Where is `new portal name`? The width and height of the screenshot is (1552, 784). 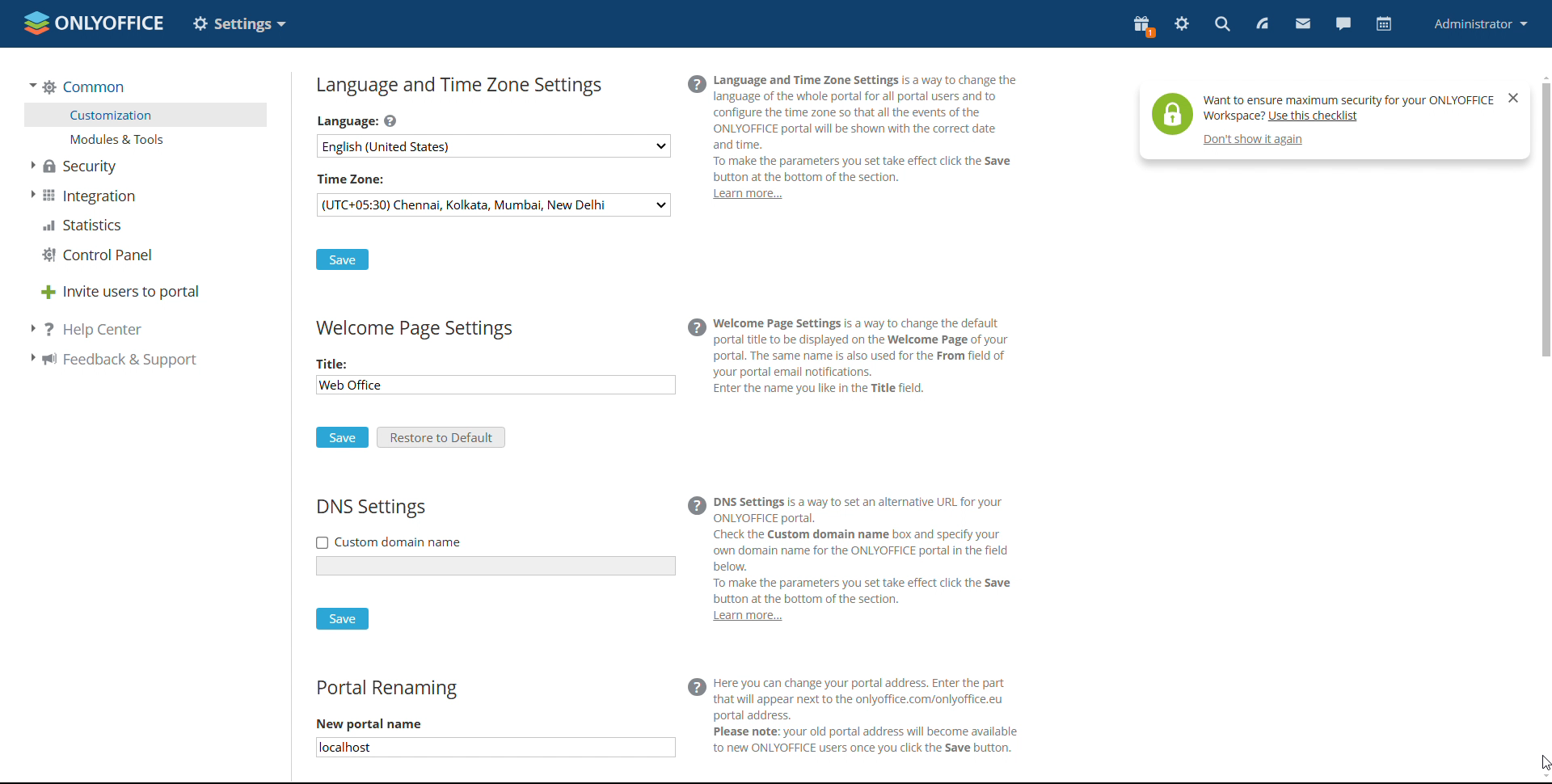 new portal name is located at coordinates (494, 748).